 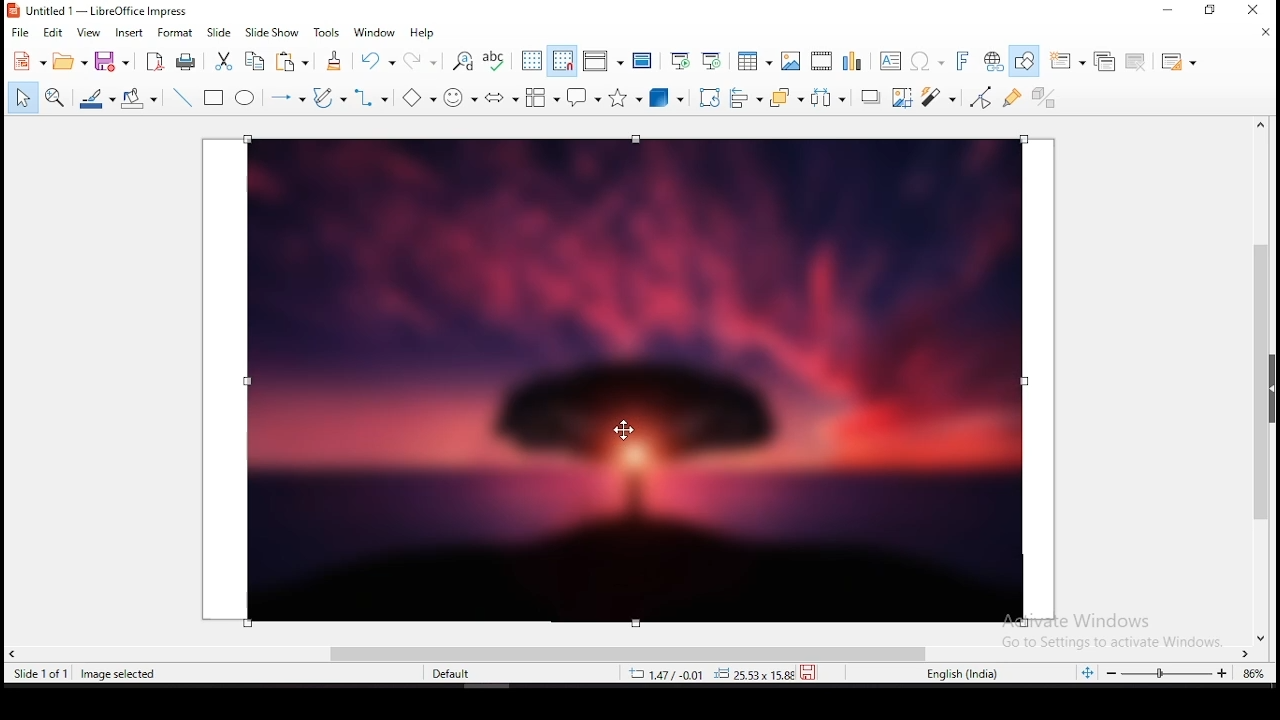 What do you see at coordinates (821, 62) in the screenshot?
I see `insert video` at bounding box center [821, 62].